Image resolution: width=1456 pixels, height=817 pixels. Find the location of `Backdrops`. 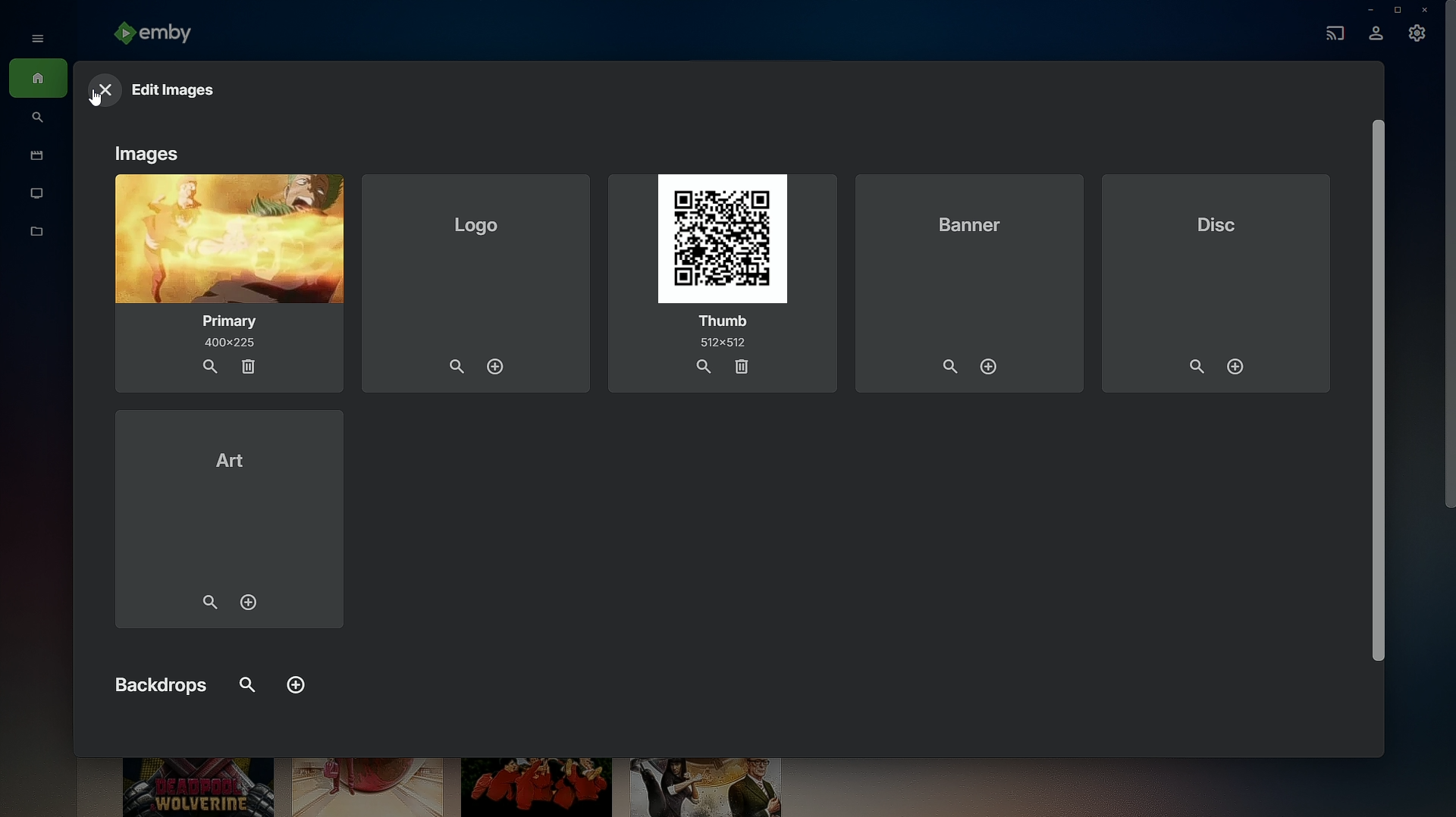

Backdrops is located at coordinates (160, 683).